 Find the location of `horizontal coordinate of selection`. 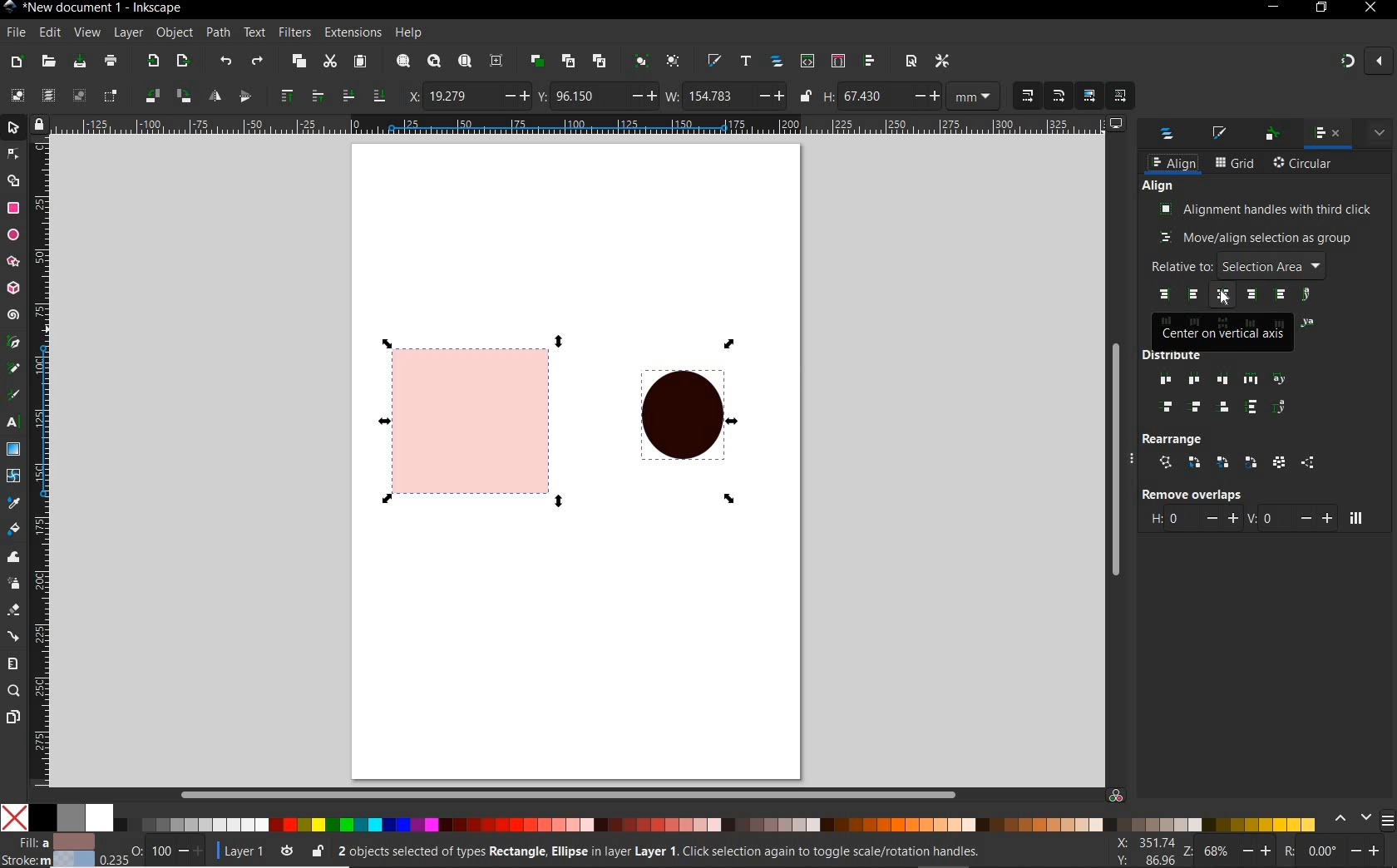

horizontal coordinate of selection is located at coordinates (468, 96).